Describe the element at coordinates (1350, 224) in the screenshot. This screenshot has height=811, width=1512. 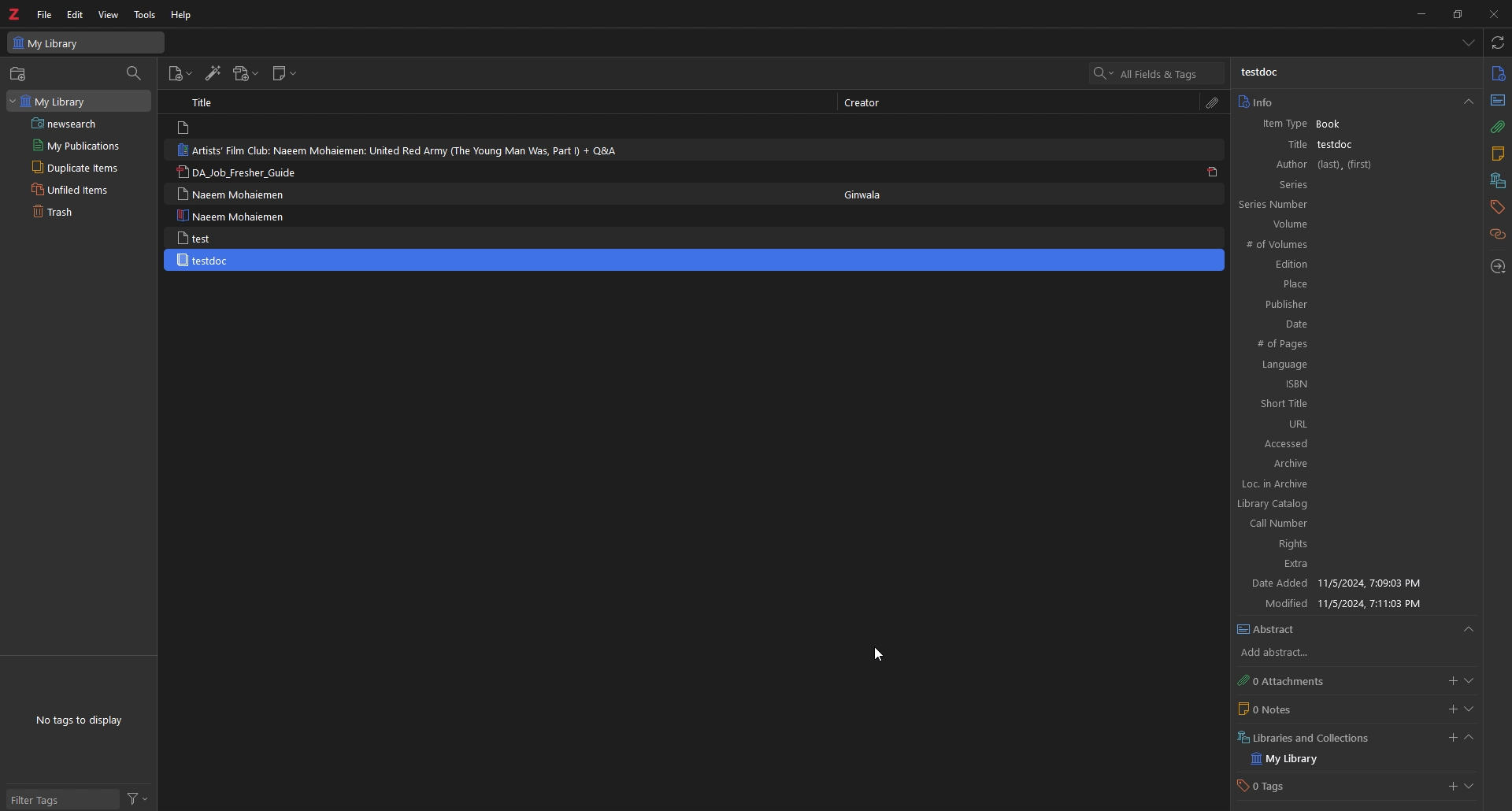
I see `Volume` at that location.